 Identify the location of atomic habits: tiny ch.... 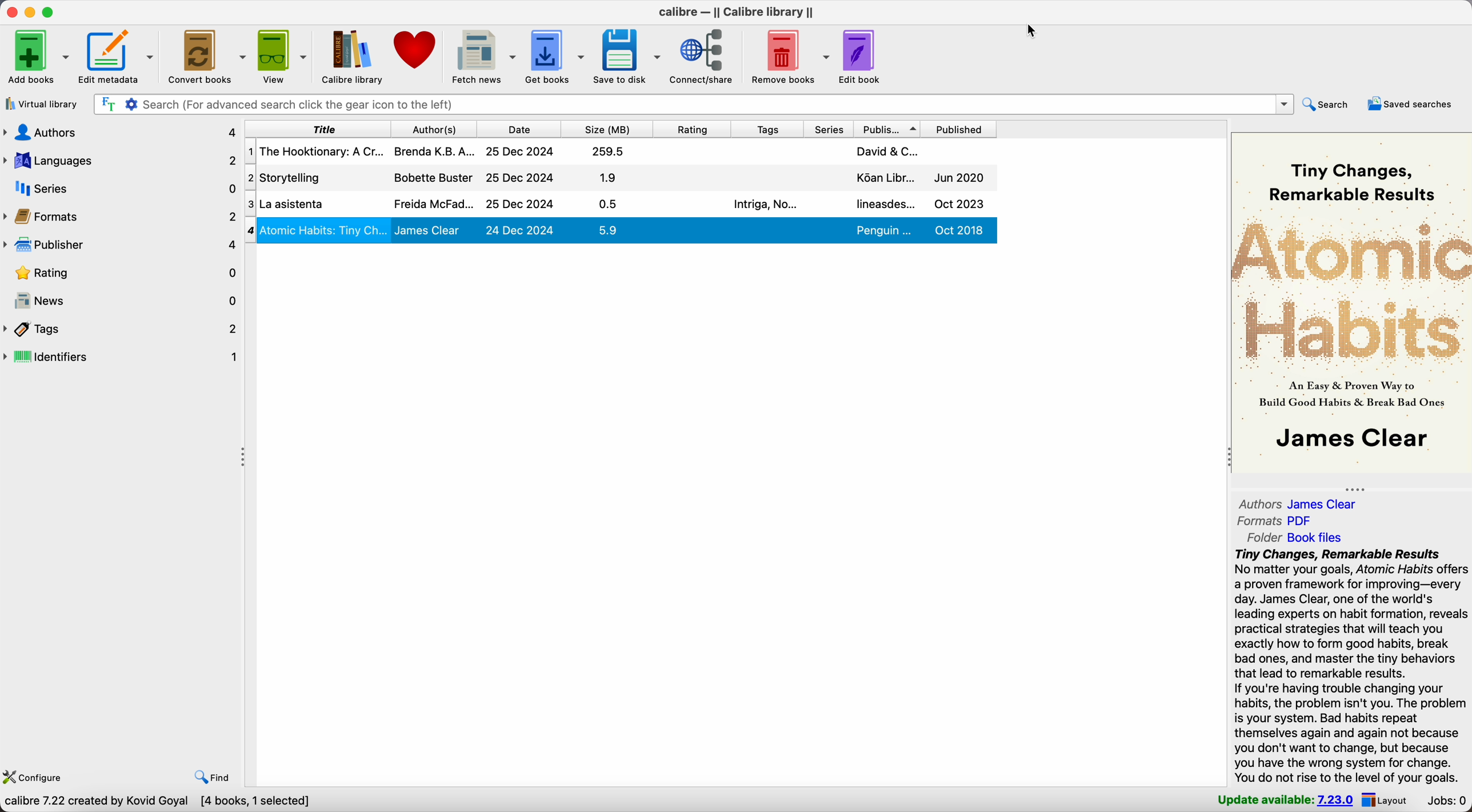
(322, 231).